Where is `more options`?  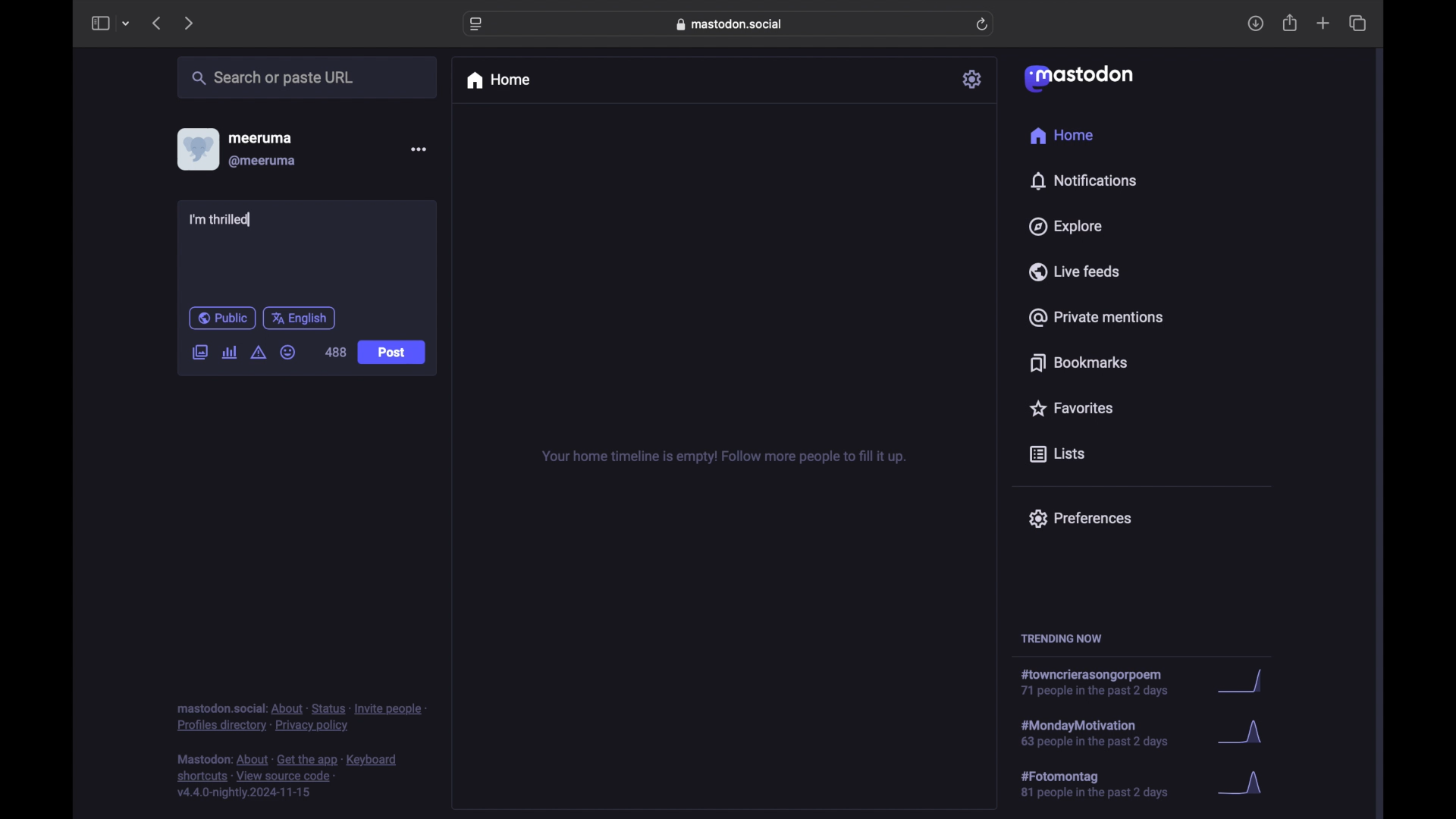 more options is located at coordinates (418, 149).